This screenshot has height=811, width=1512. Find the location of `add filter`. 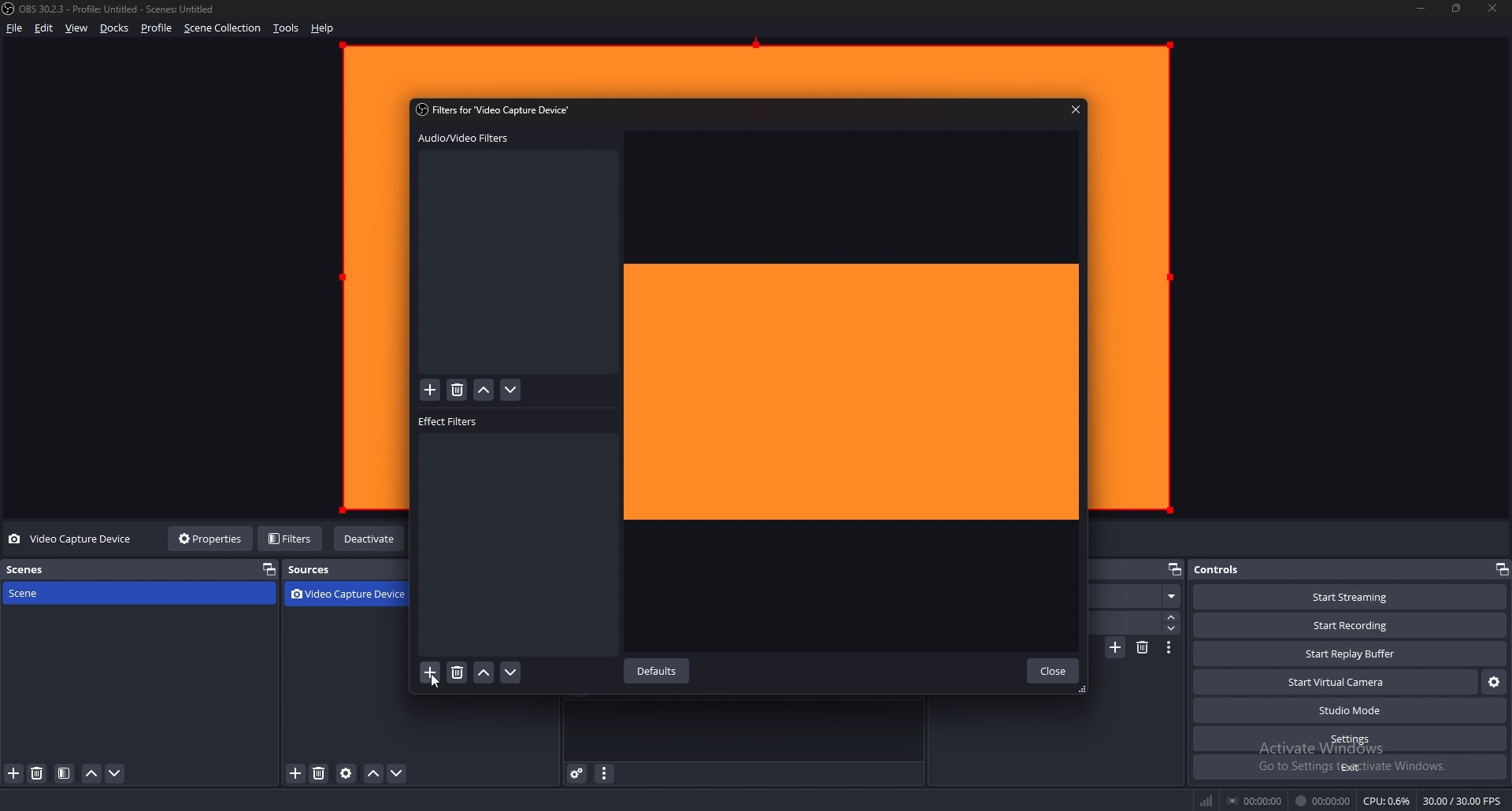

add filter is located at coordinates (431, 673).